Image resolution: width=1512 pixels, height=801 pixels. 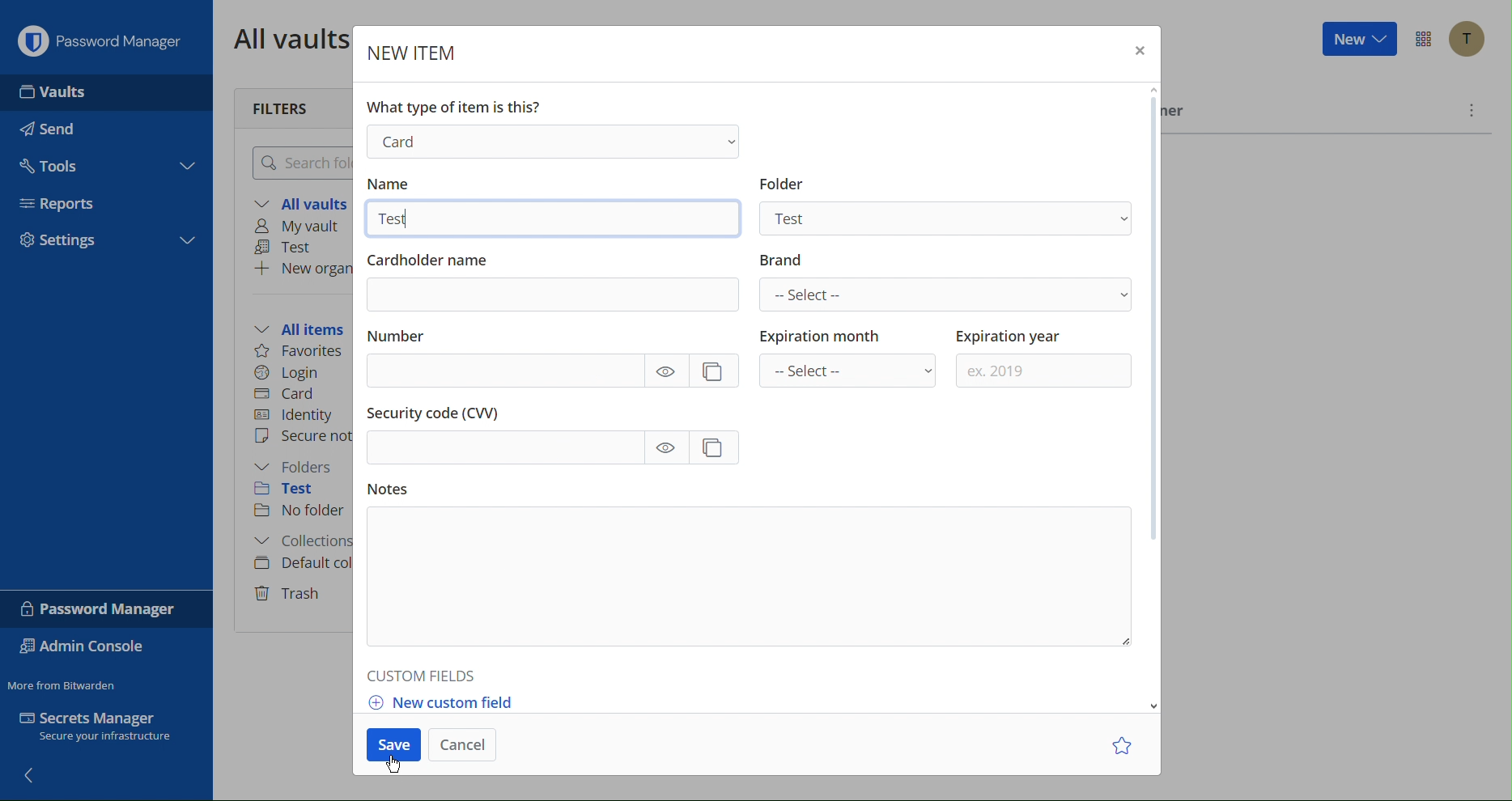 What do you see at coordinates (553, 282) in the screenshot?
I see `Cardholder name` at bounding box center [553, 282].